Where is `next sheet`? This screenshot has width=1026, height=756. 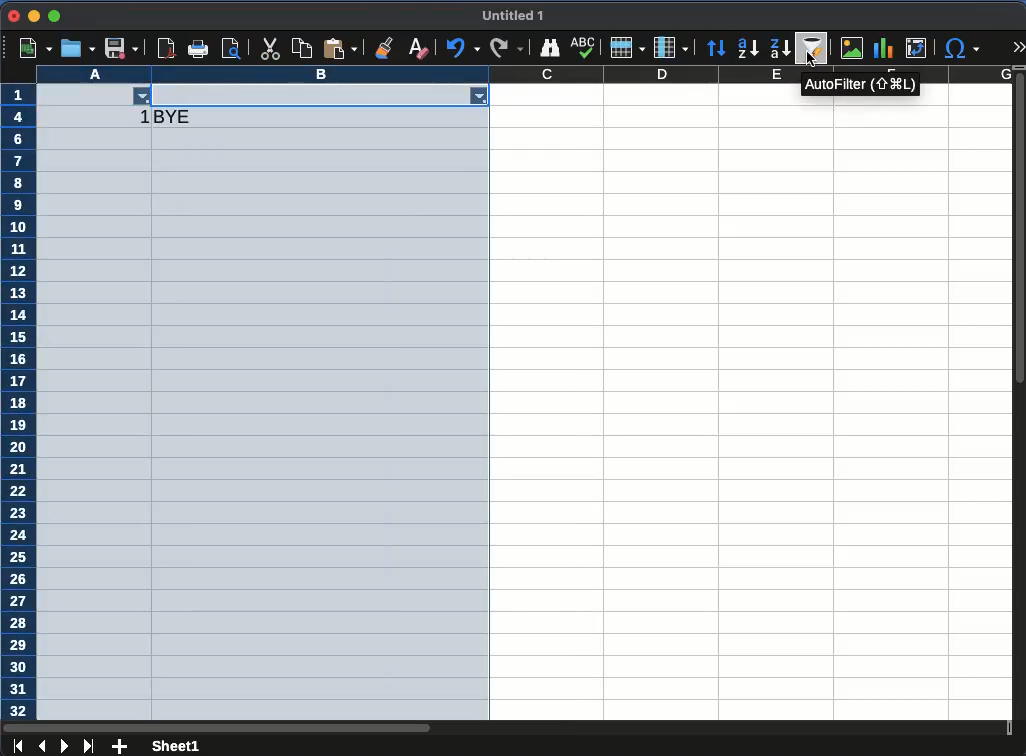 next sheet is located at coordinates (67, 746).